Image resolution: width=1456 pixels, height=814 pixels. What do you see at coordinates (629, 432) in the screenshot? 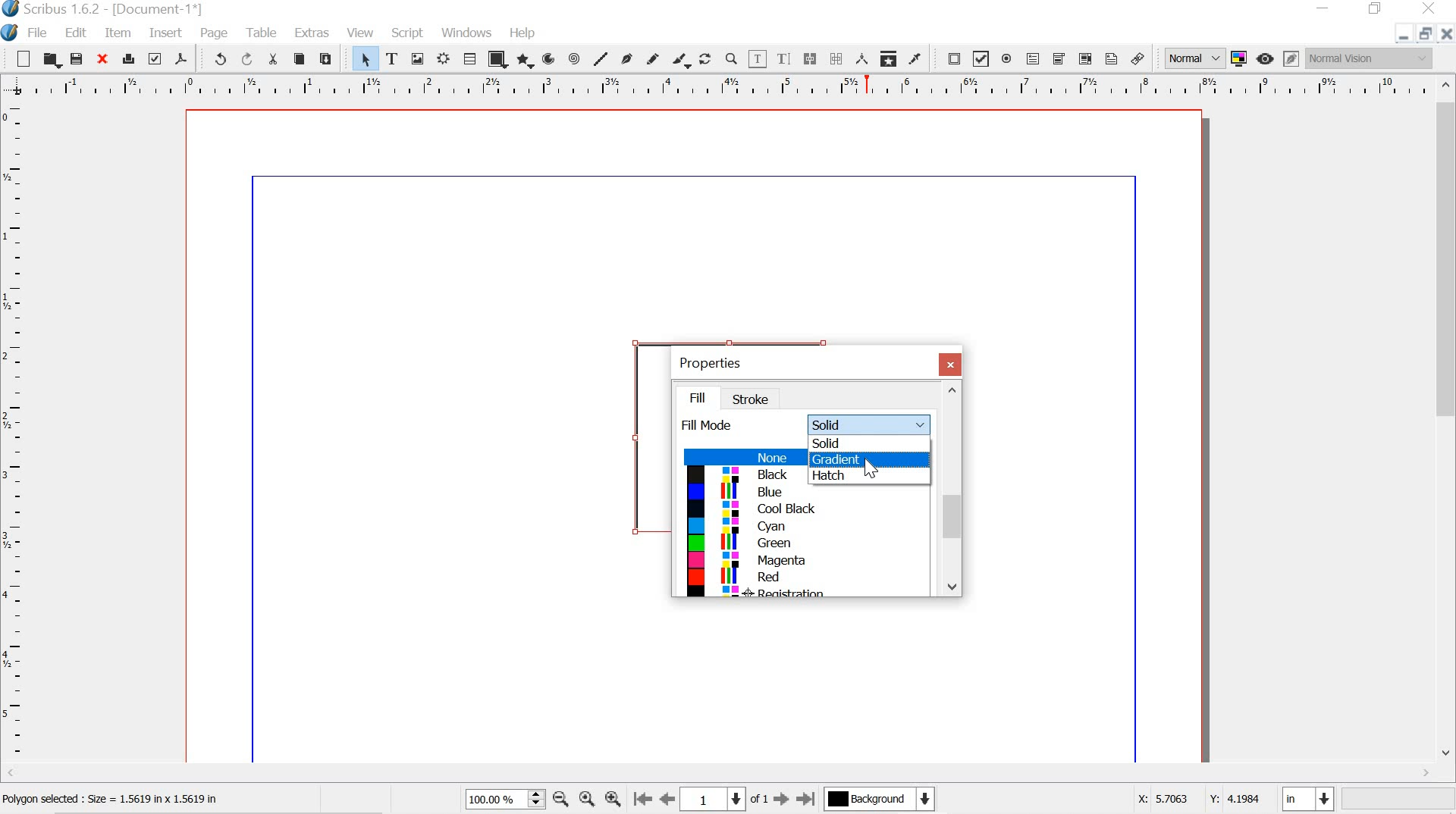
I see `selected shape` at bounding box center [629, 432].